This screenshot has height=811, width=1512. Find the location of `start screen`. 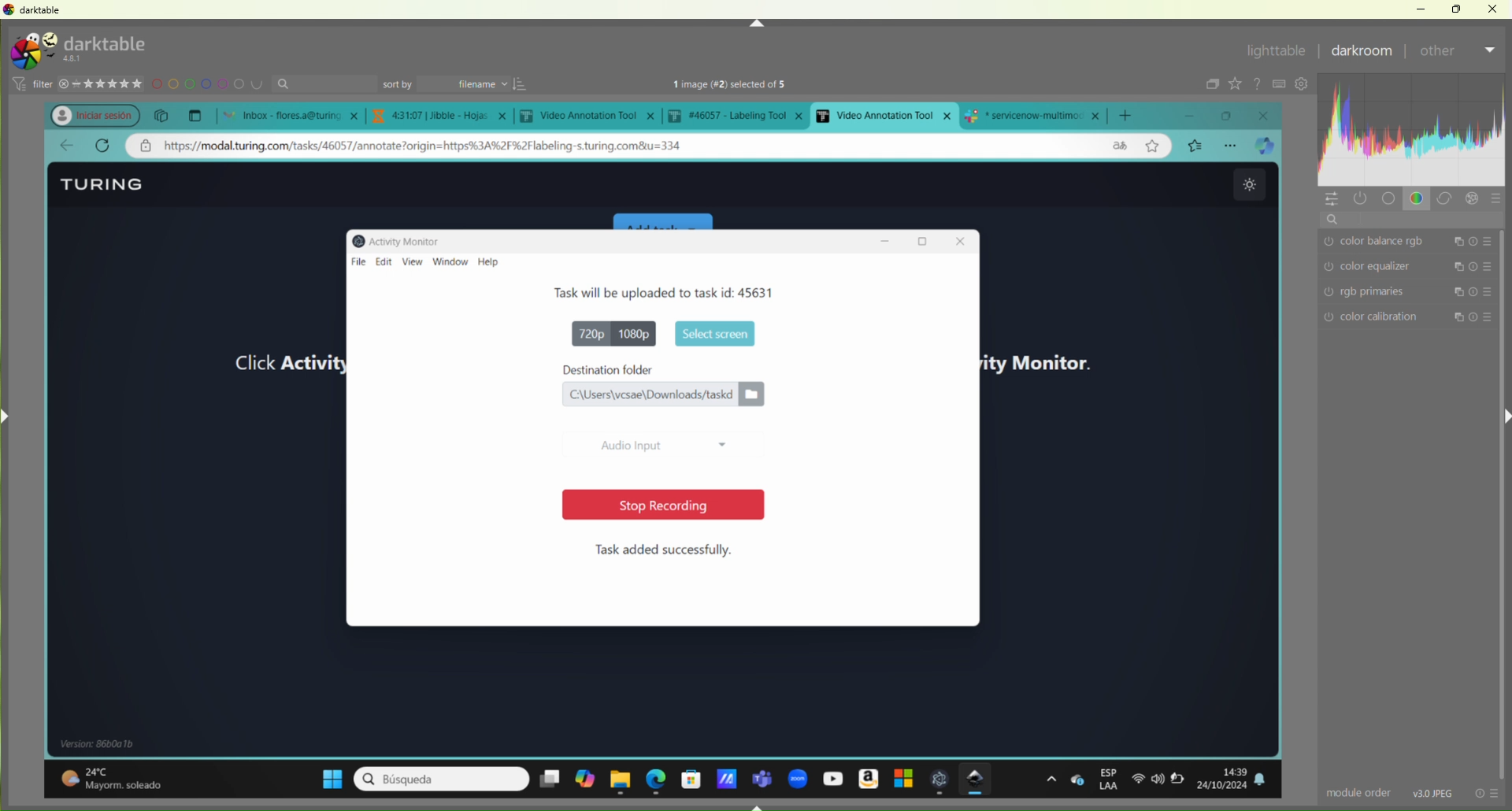

start screen is located at coordinates (712, 332).